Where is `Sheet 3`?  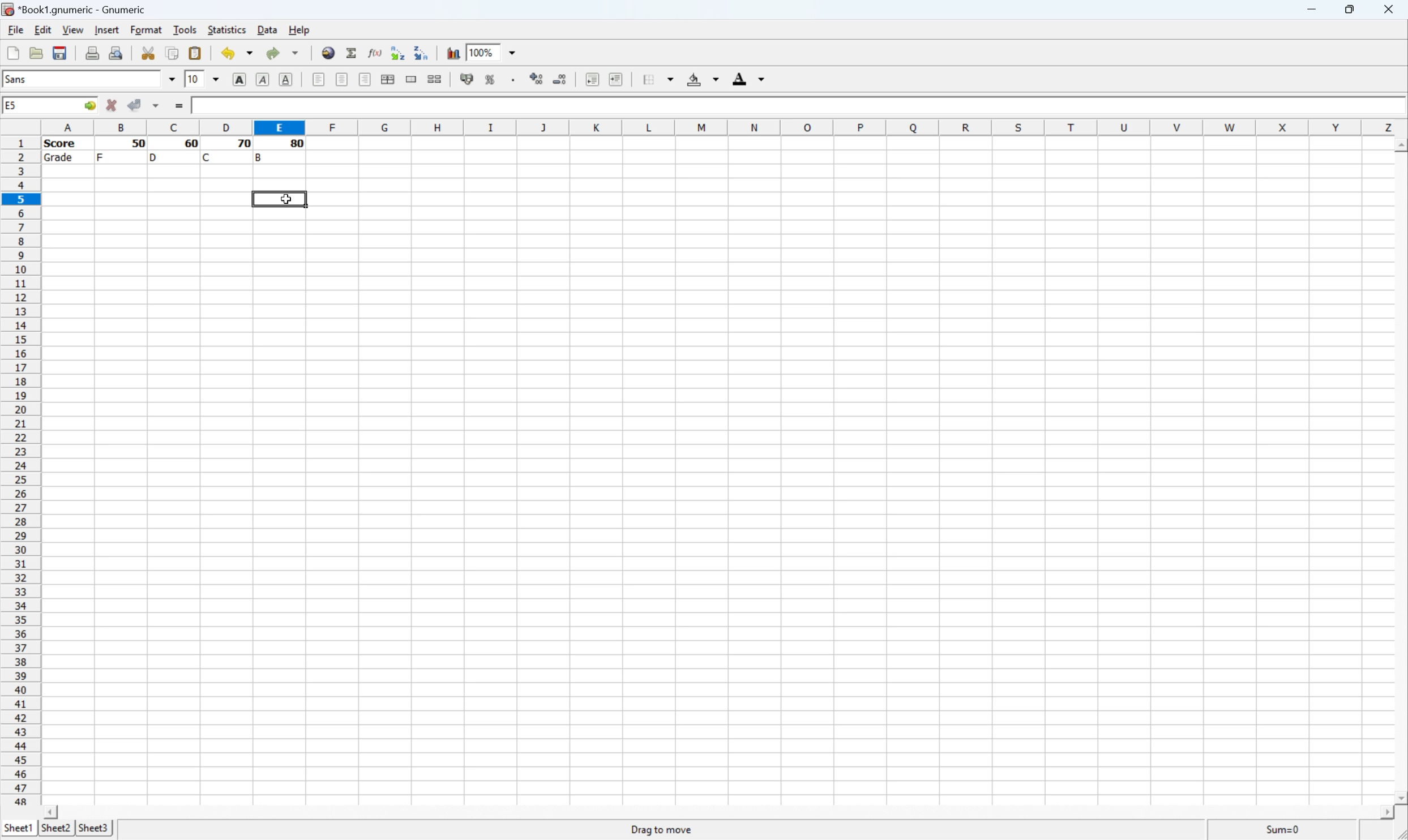
Sheet 3 is located at coordinates (95, 829).